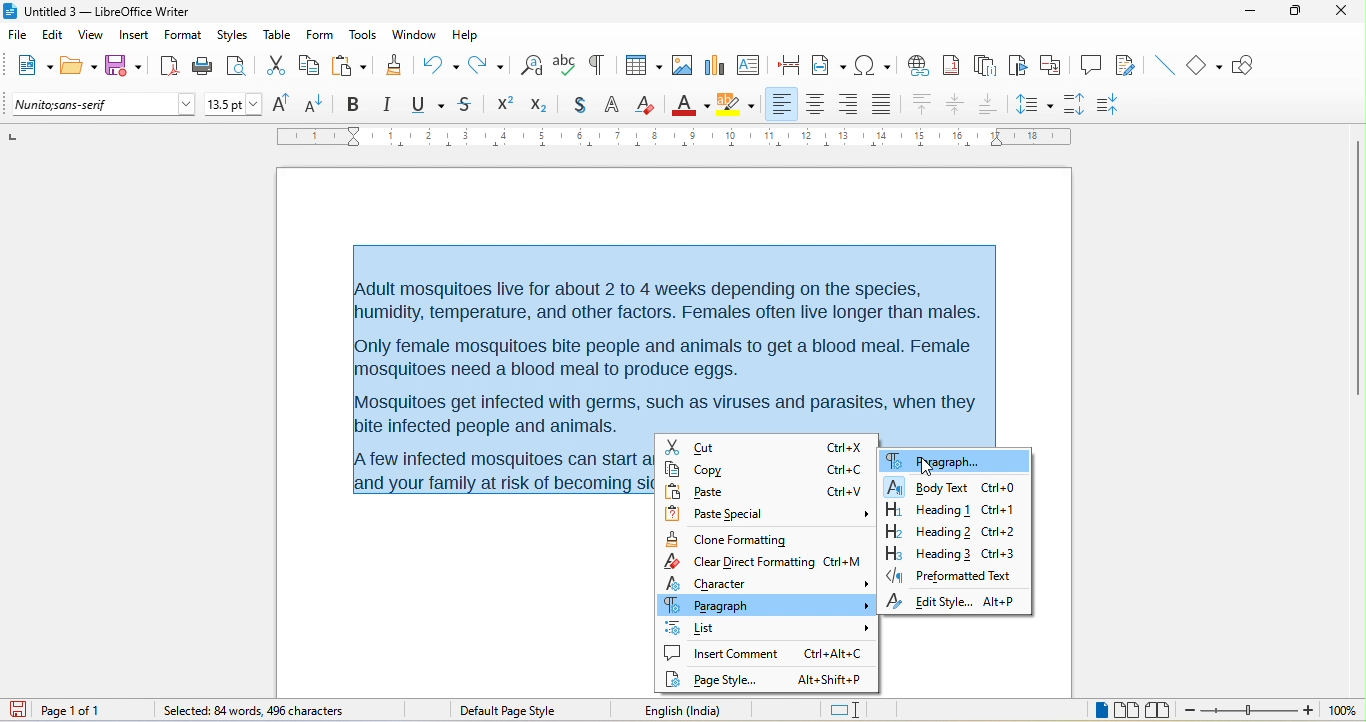 Image resolution: width=1366 pixels, height=722 pixels. Describe the element at coordinates (316, 103) in the screenshot. I see `decrease size` at that location.